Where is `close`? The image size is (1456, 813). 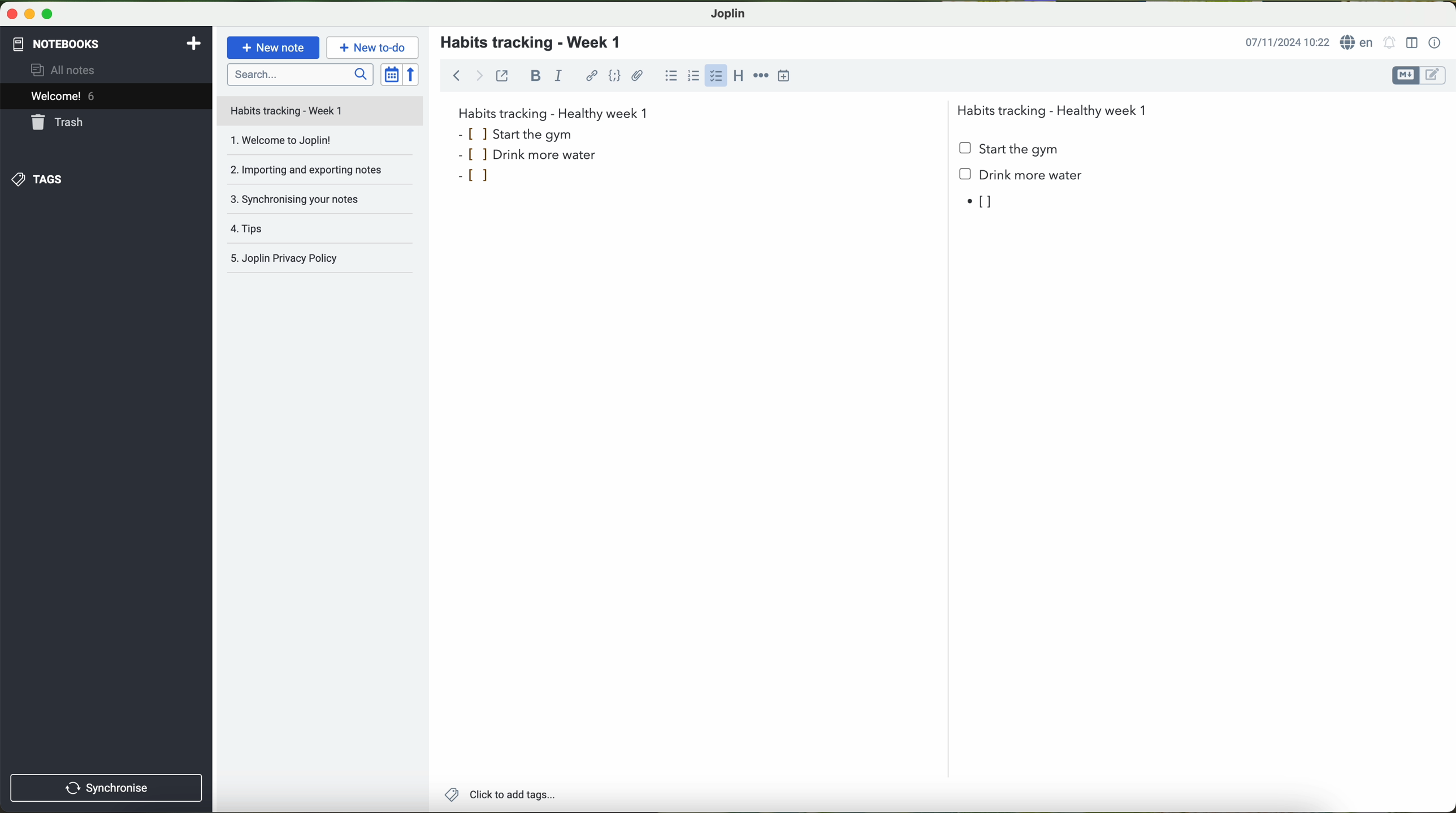 close is located at coordinates (9, 12).